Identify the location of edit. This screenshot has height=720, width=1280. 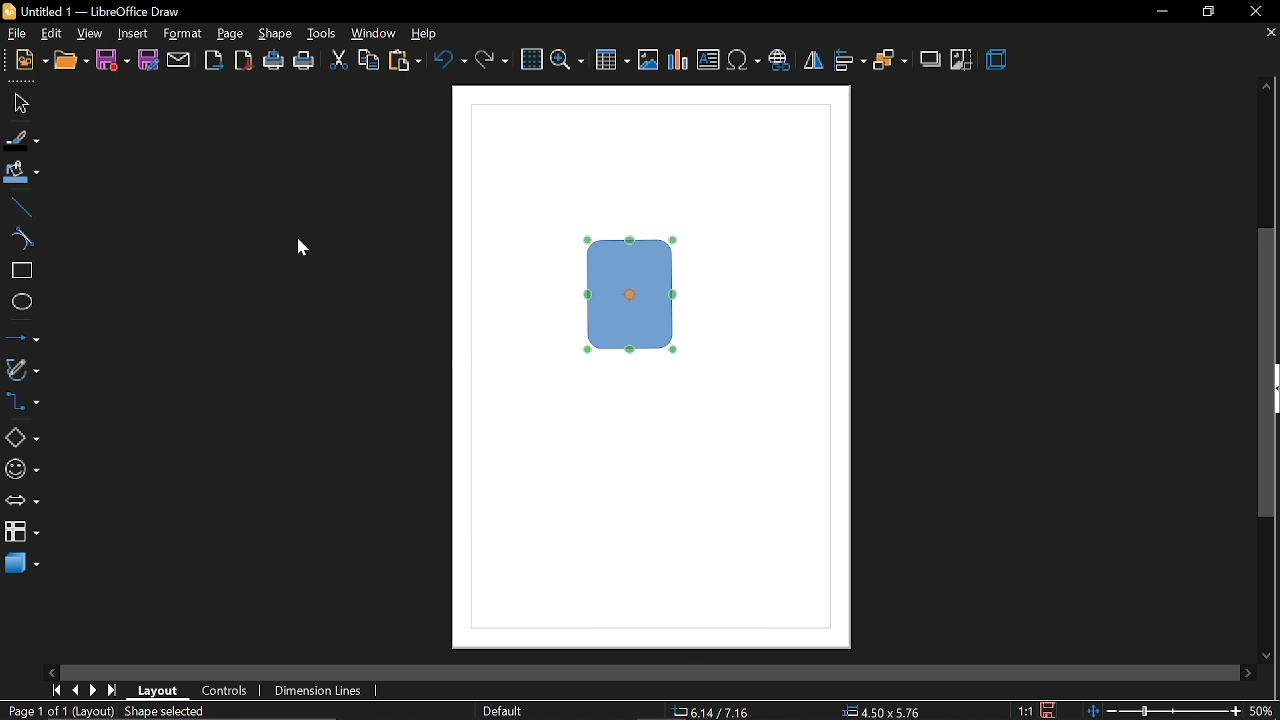
(52, 34).